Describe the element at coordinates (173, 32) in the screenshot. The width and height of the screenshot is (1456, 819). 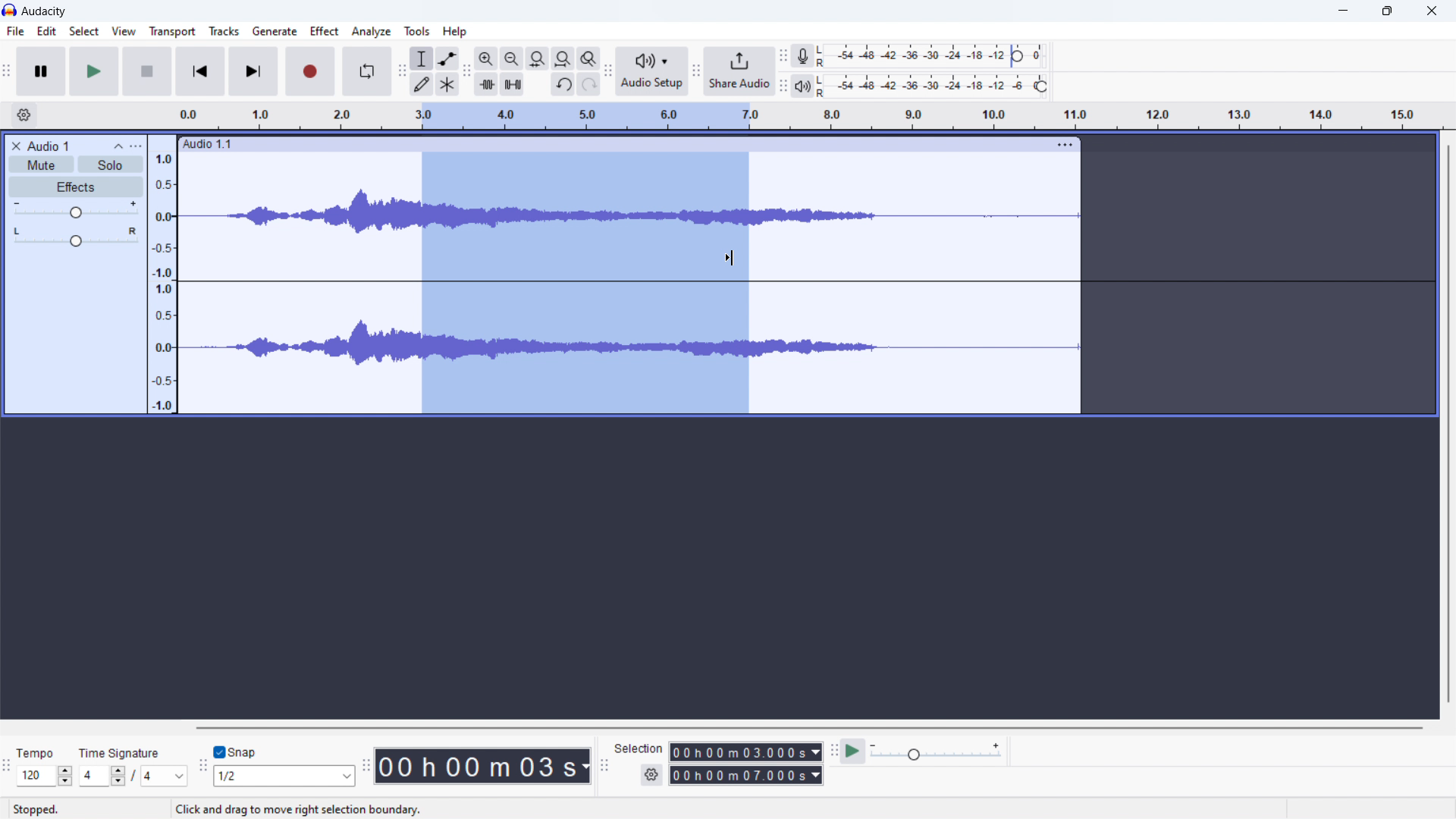
I see `transport` at that location.